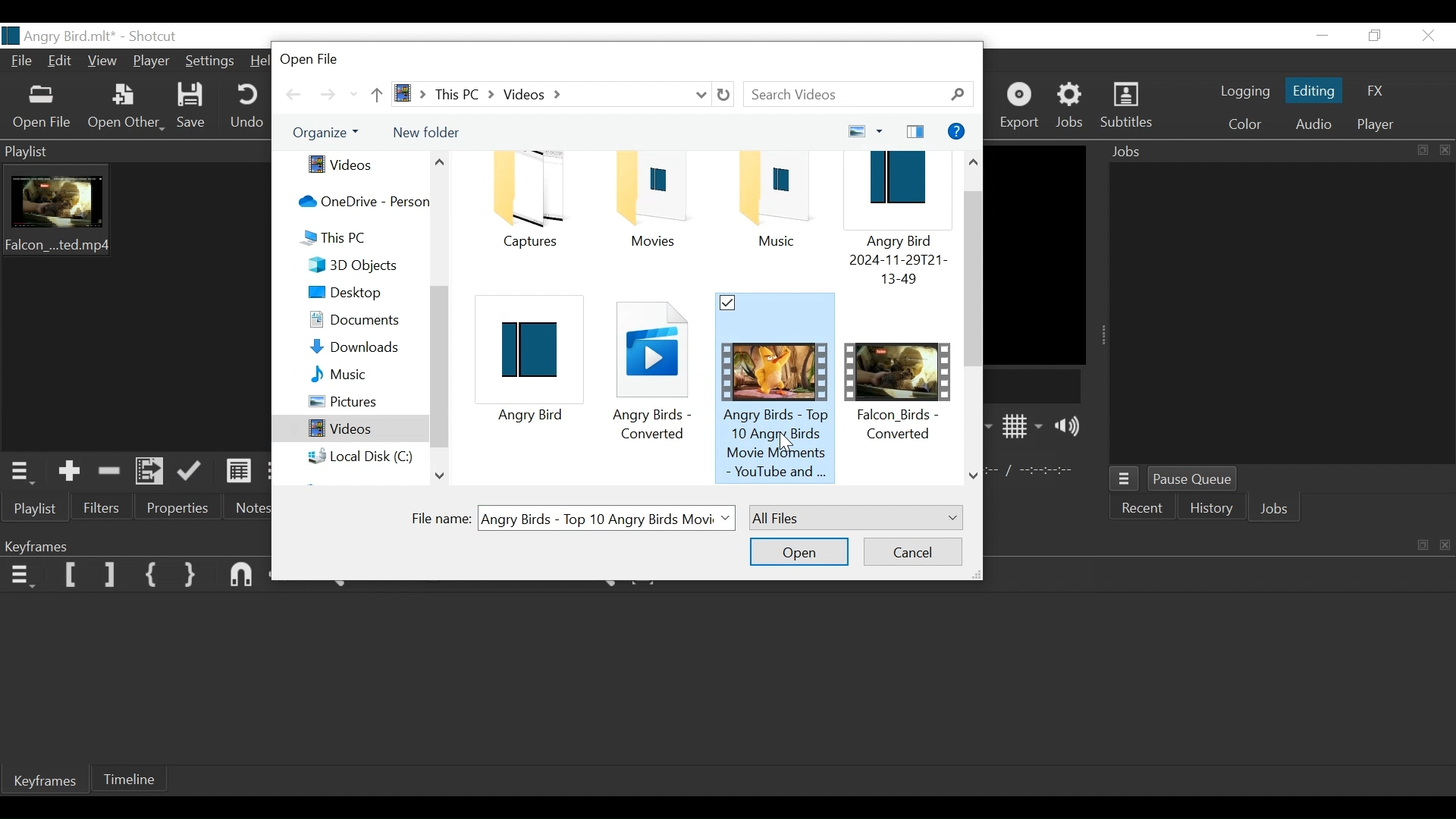 Image resolution: width=1456 pixels, height=819 pixels. Describe the element at coordinates (99, 507) in the screenshot. I see `Filter` at that location.